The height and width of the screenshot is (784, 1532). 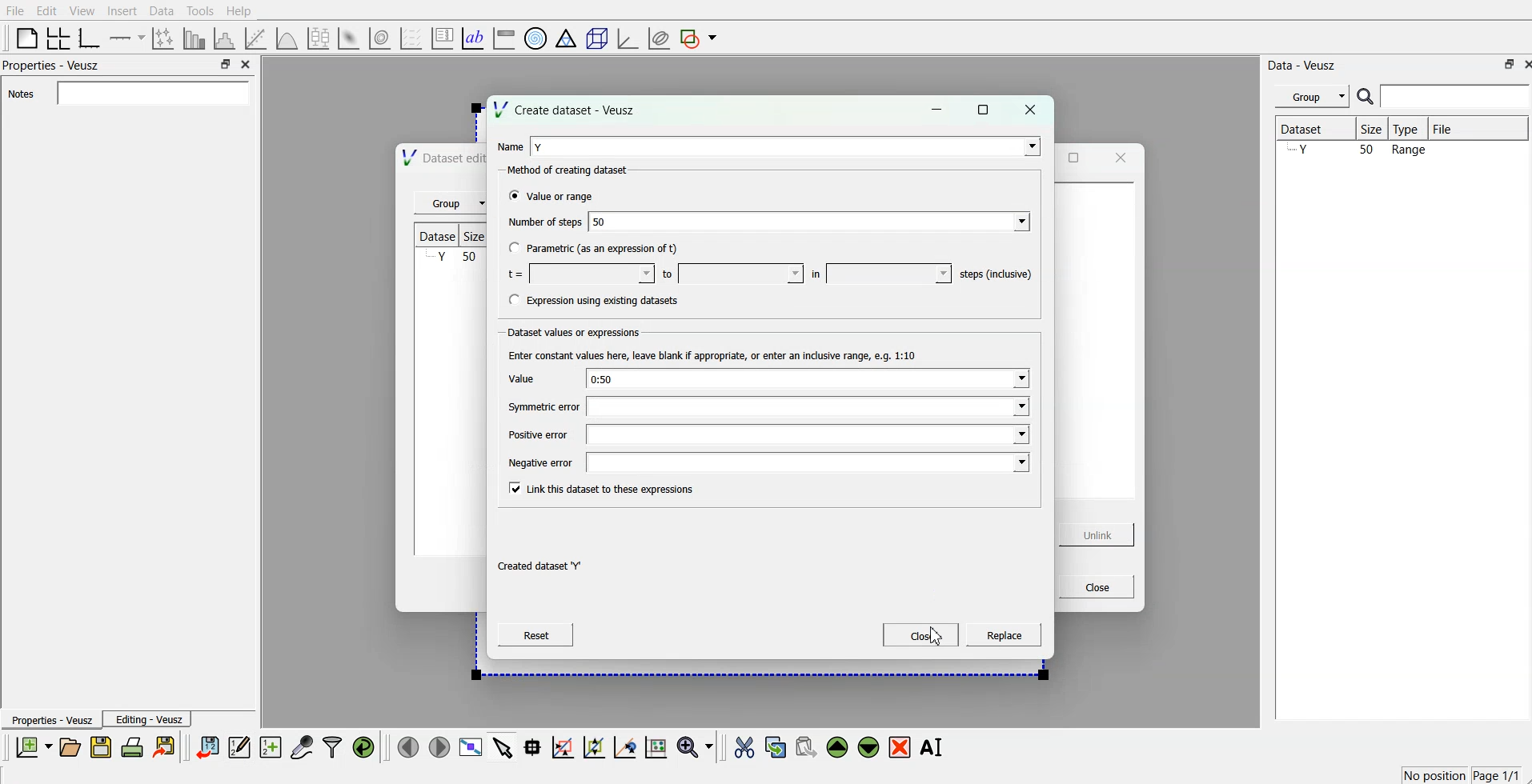 I want to click on polar graph, so click(x=536, y=37).